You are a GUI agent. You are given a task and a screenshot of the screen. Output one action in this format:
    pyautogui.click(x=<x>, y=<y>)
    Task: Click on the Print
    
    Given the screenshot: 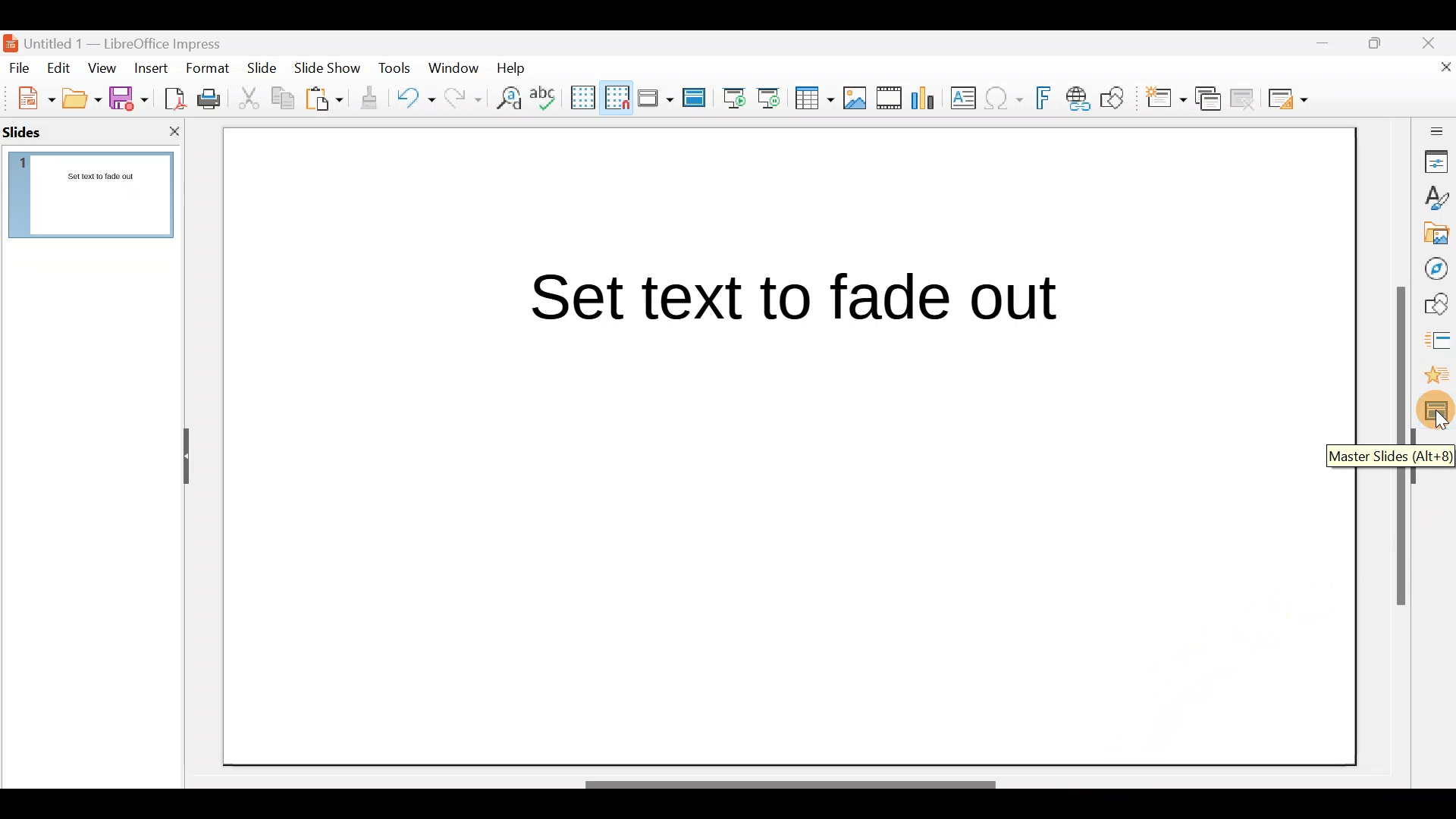 What is the action you would take?
    pyautogui.click(x=213, y=100)
    